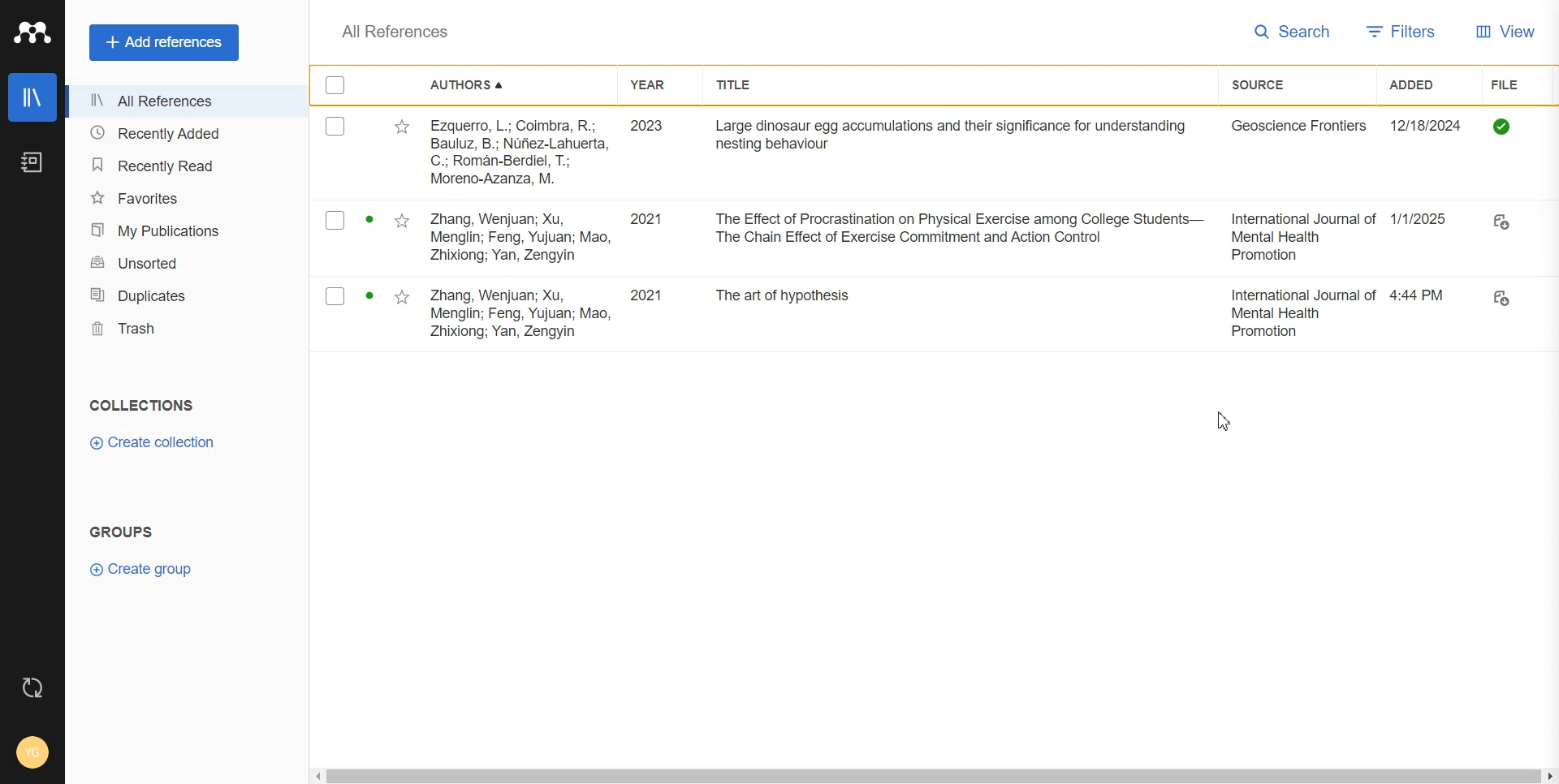 This screenshot has width=1559, height=784. Describe the element at coordinates (395, 32) in the screenshot. I see `All References` at that location.